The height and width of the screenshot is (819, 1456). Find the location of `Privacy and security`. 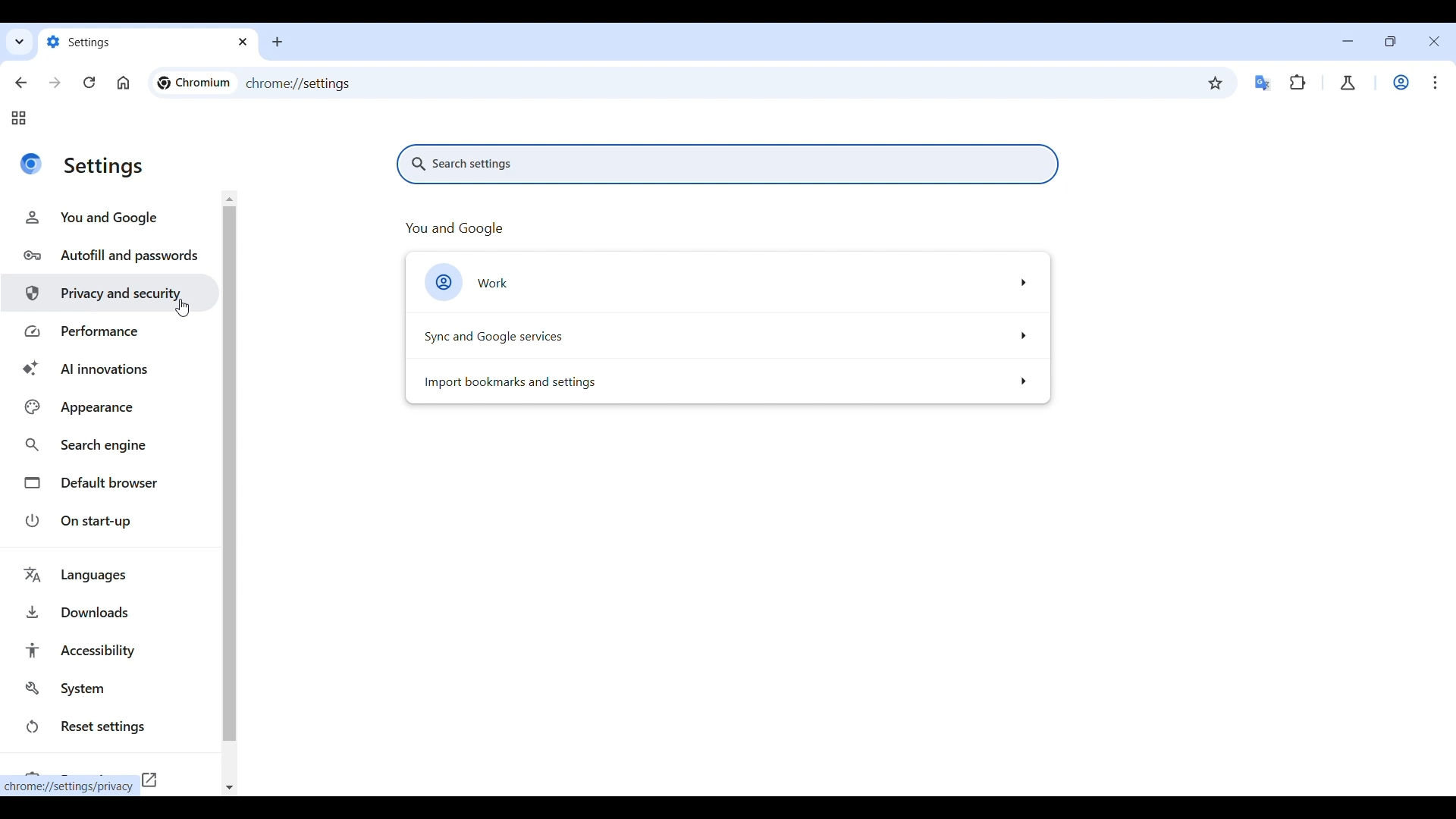

Privacy and security is located at coordinates (112, 294).